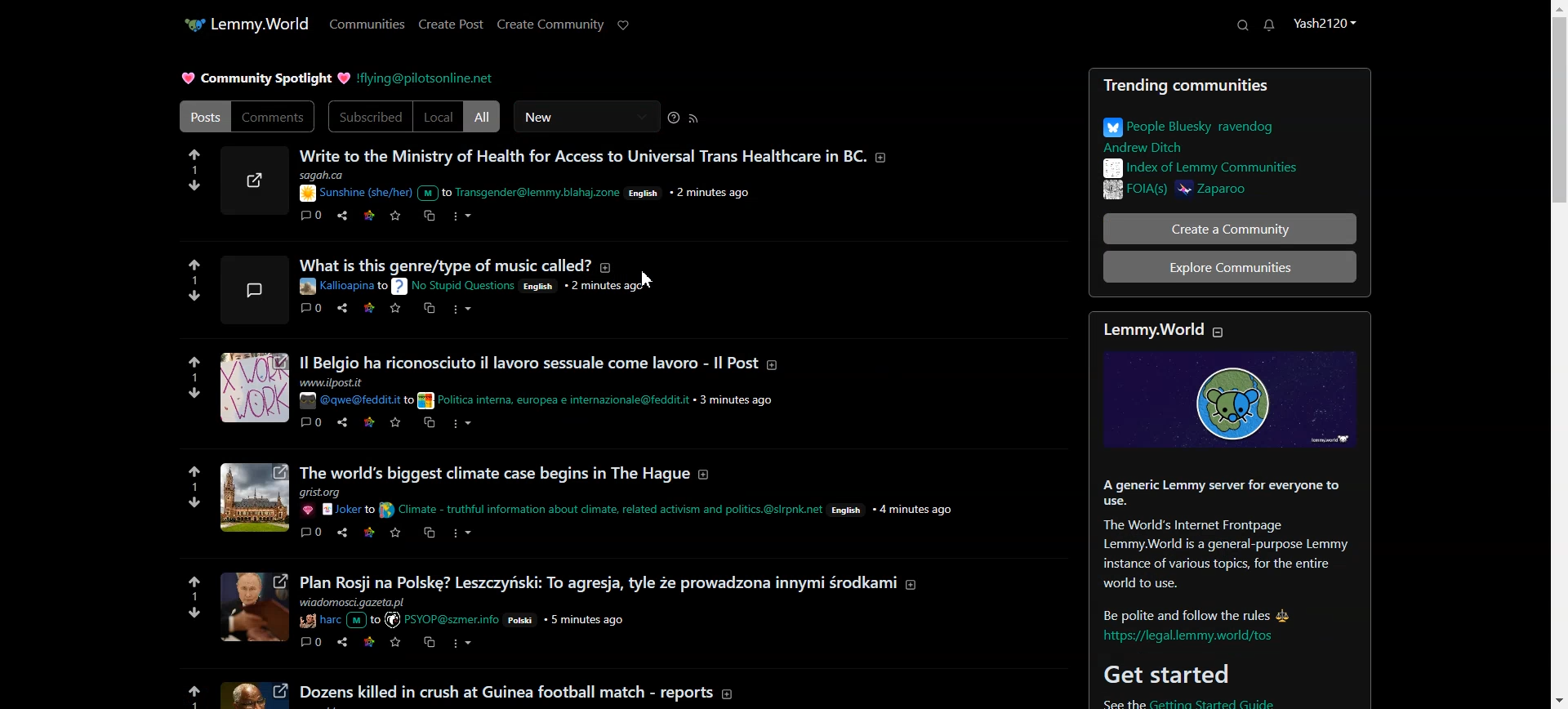  What do you see at coordinates (463, 644) in the screenshot?
I see `more` at bounding box center [463, 644].